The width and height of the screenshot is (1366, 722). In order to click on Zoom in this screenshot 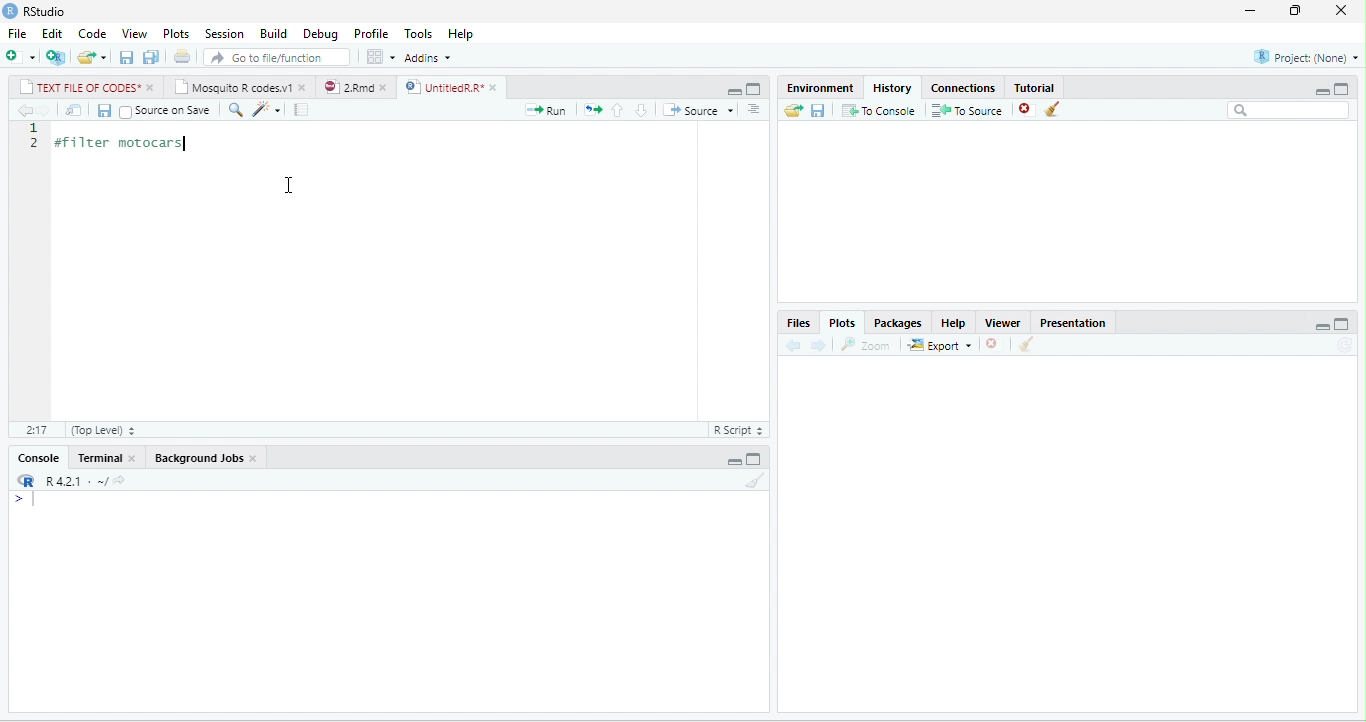, I will do `click(864, 345)`.